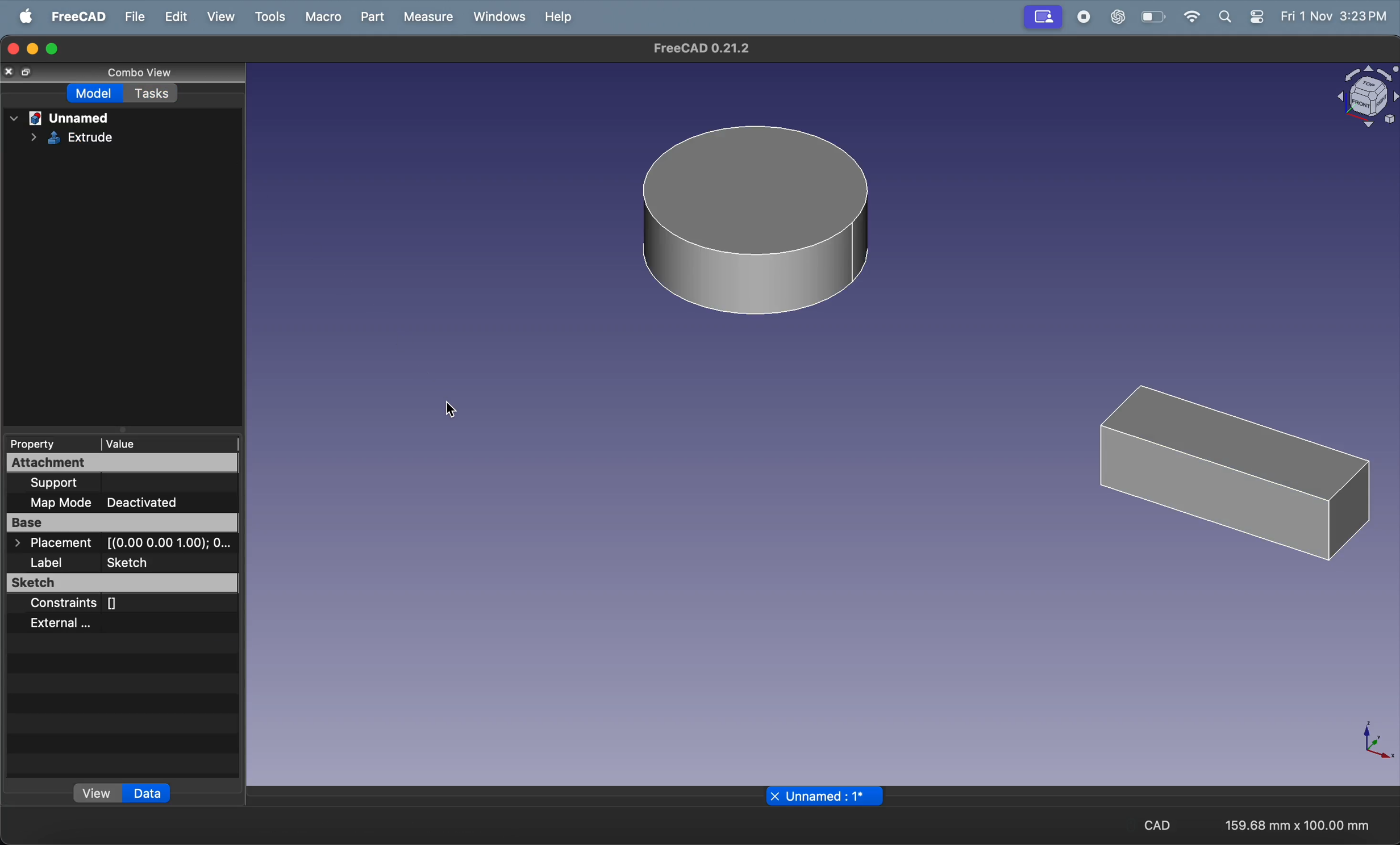 The image size is (1400, 845). What do you see at coordinates (87, 138) in the screenshot?
I see `extrude` at bounding box center [87, 138].